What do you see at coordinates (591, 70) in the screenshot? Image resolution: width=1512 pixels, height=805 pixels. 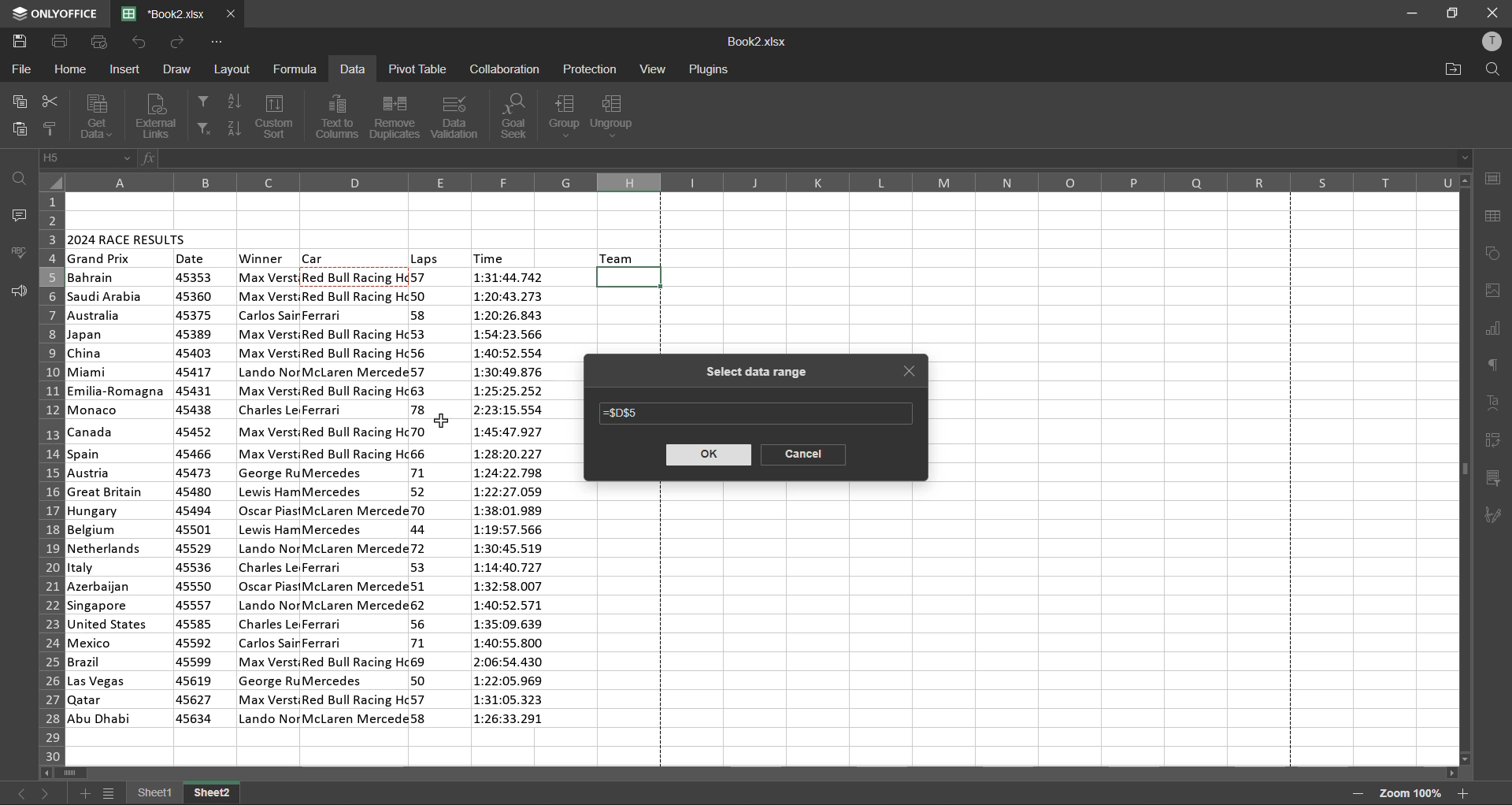 I see `protection` at bounding box center [591, 70].